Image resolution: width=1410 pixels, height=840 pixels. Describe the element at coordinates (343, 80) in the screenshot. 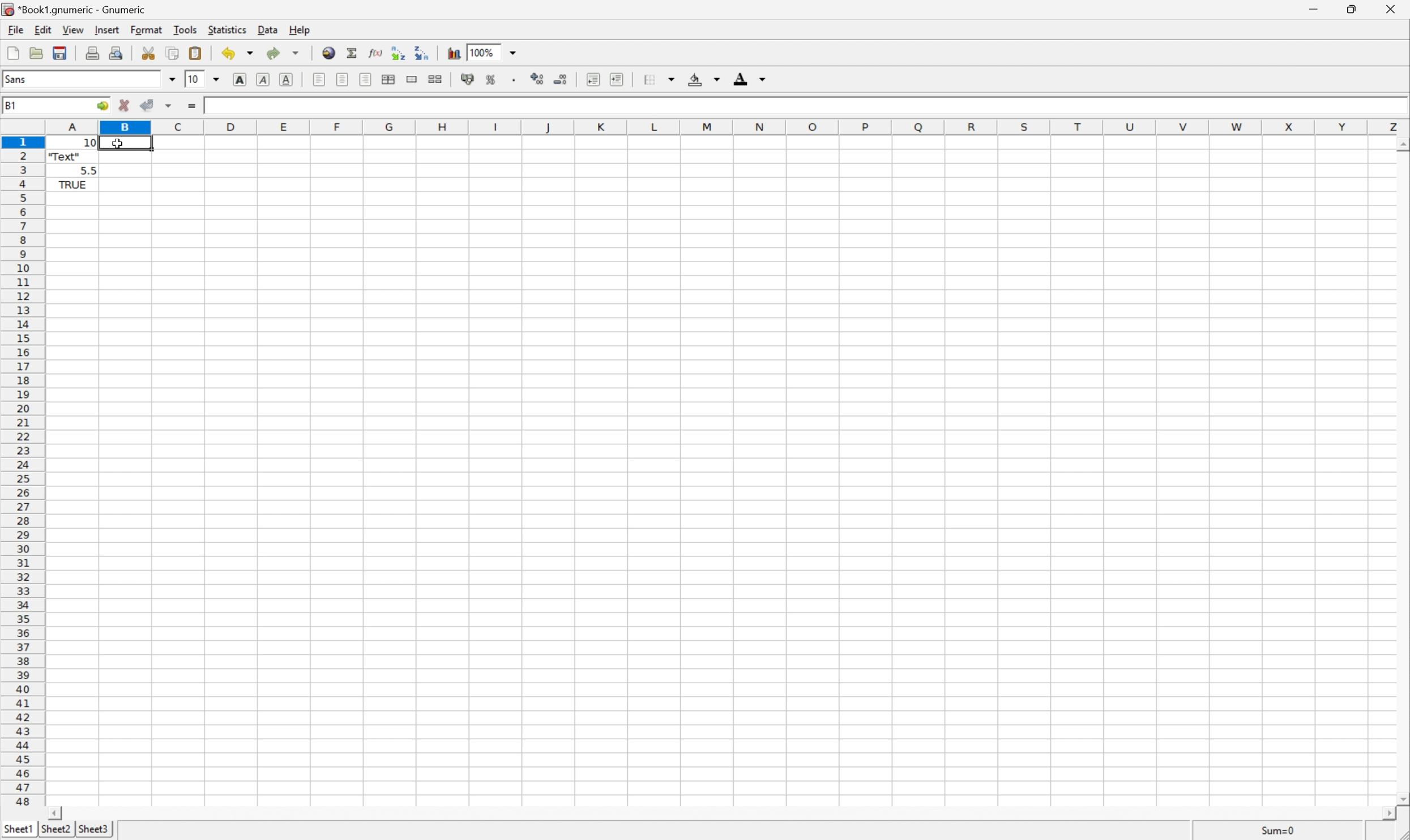

I see `Center Horizontally` at that location.